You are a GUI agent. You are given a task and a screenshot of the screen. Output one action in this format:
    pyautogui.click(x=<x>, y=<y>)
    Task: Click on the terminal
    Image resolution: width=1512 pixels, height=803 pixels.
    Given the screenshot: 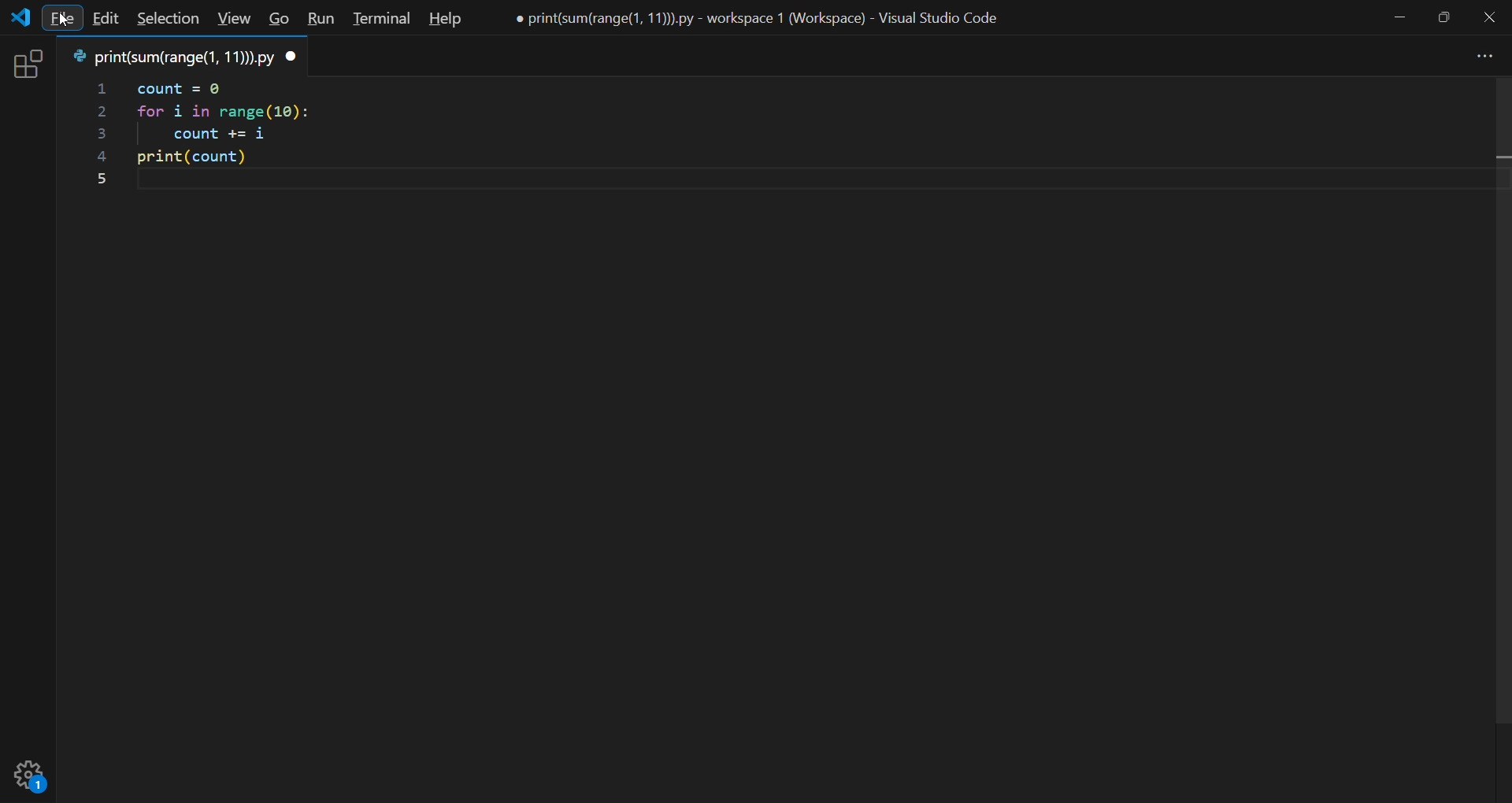 What is the action you would take?
    pyautogui.click(x=377, y=19)
    